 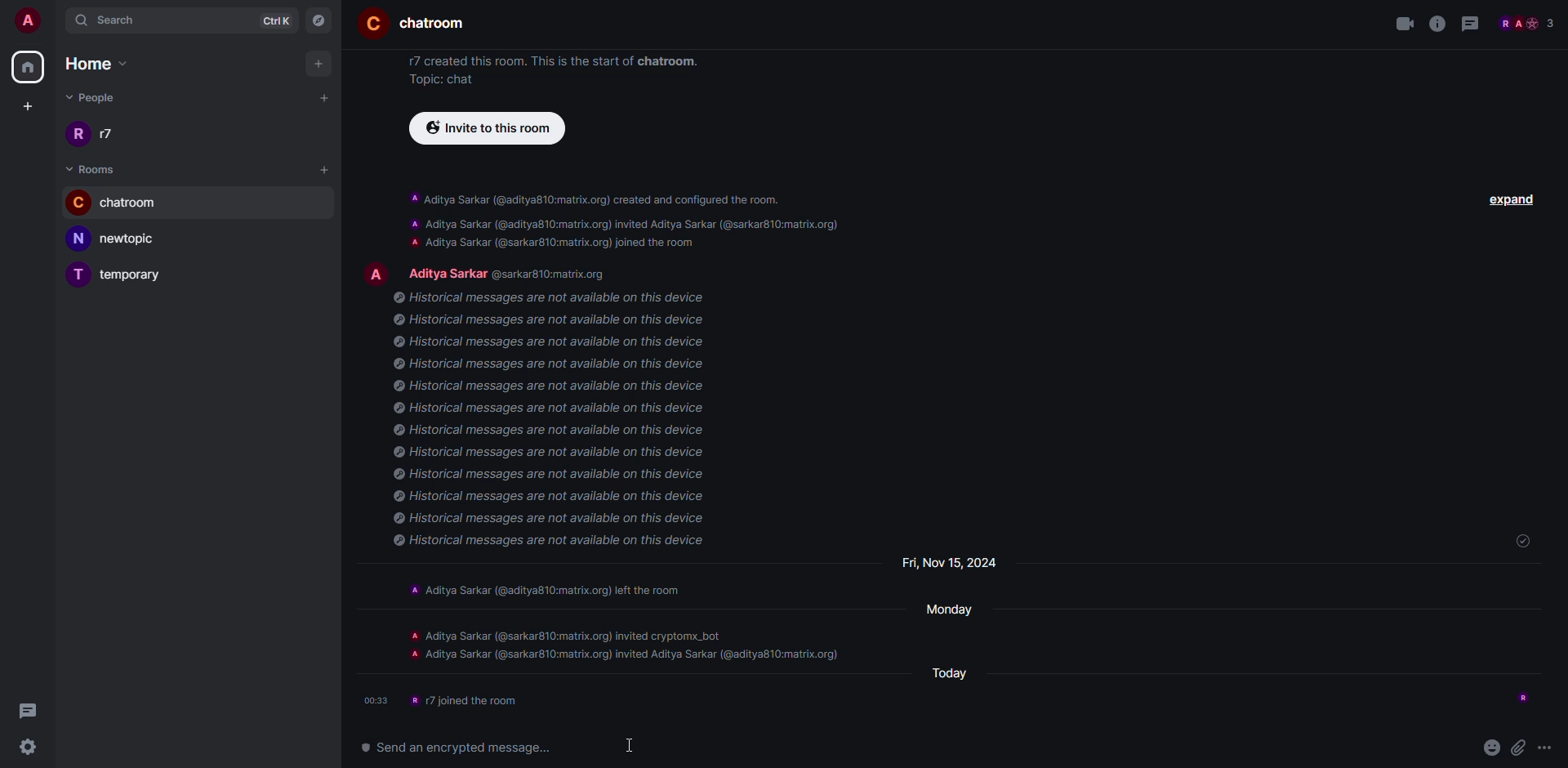 What do you see at coordinates (1521, 695) in the screenshot?
I see `seen` at bounding box center [1521, 695].